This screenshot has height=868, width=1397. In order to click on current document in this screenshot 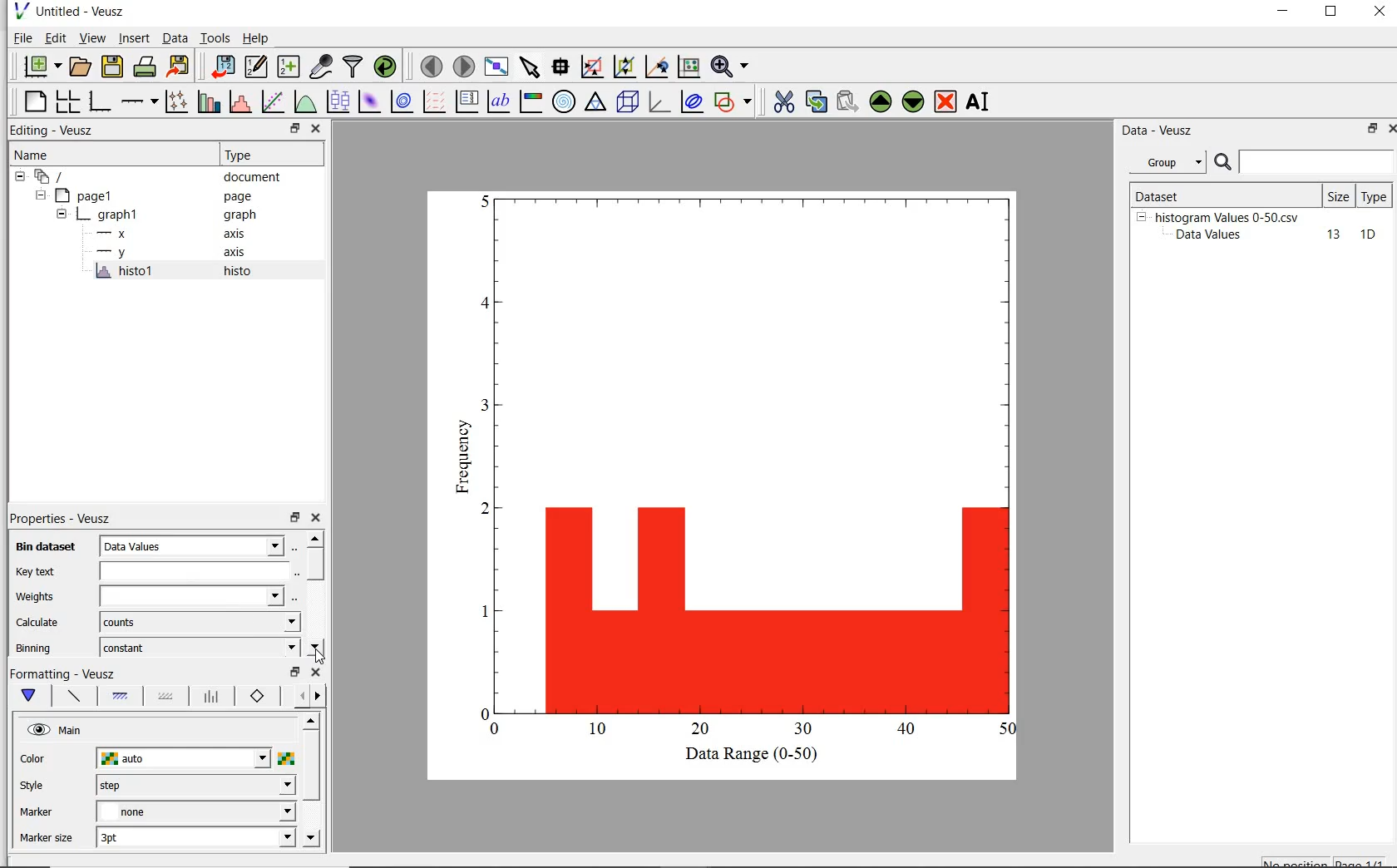, I will do `click(52, 177)`.